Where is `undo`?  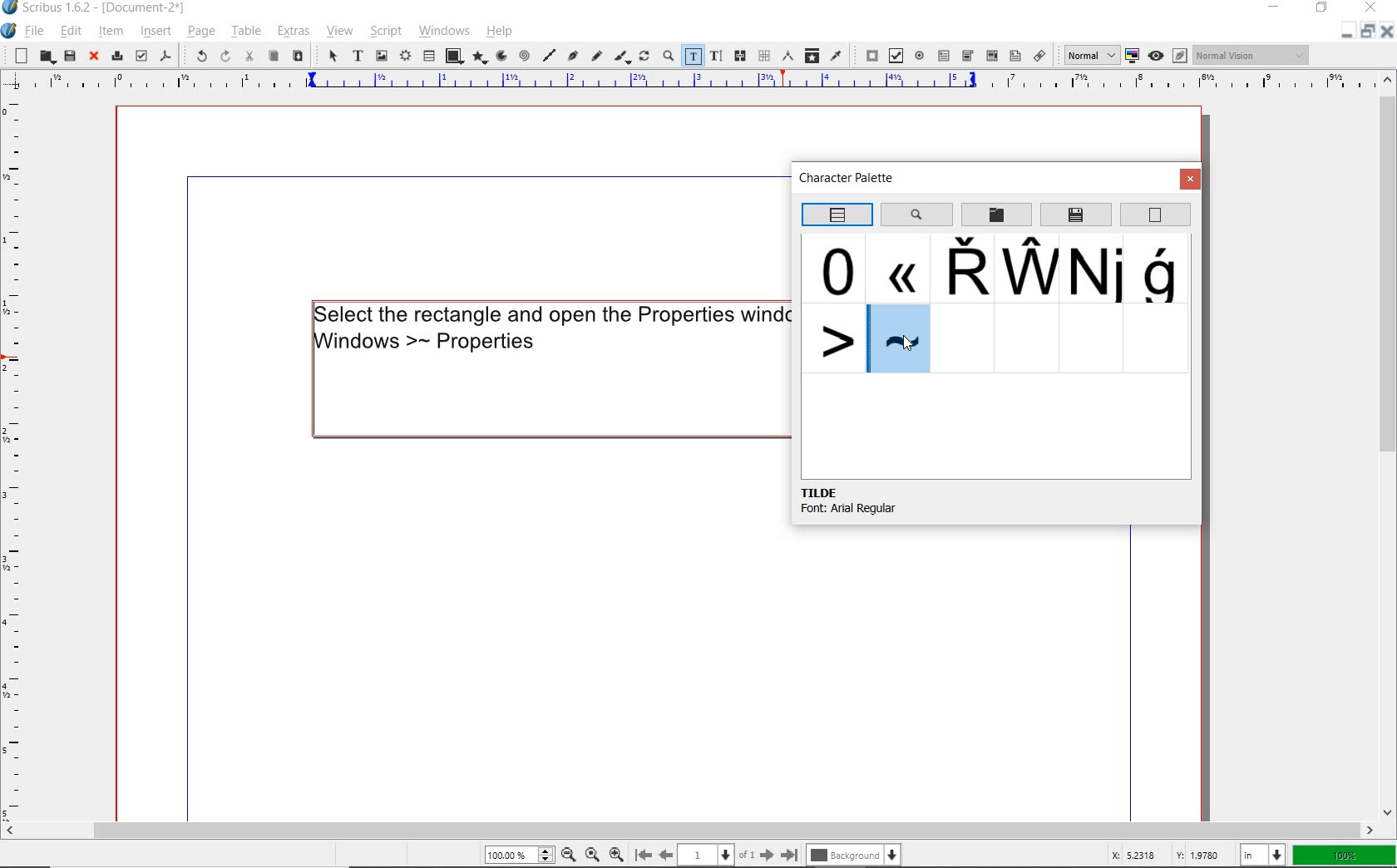
undo is located at coordinates (196, 55).